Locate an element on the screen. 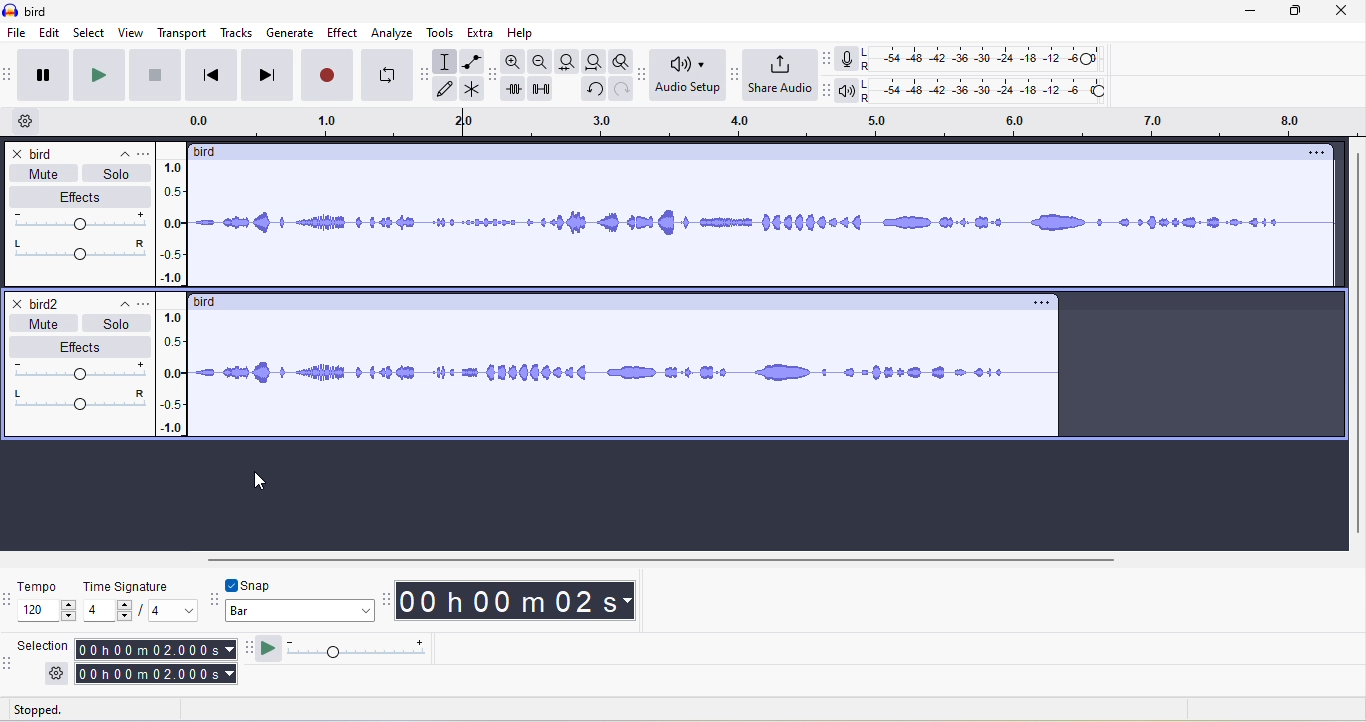 The image size is (1366, 722). fit project to width is located at coordinates (593, 61).